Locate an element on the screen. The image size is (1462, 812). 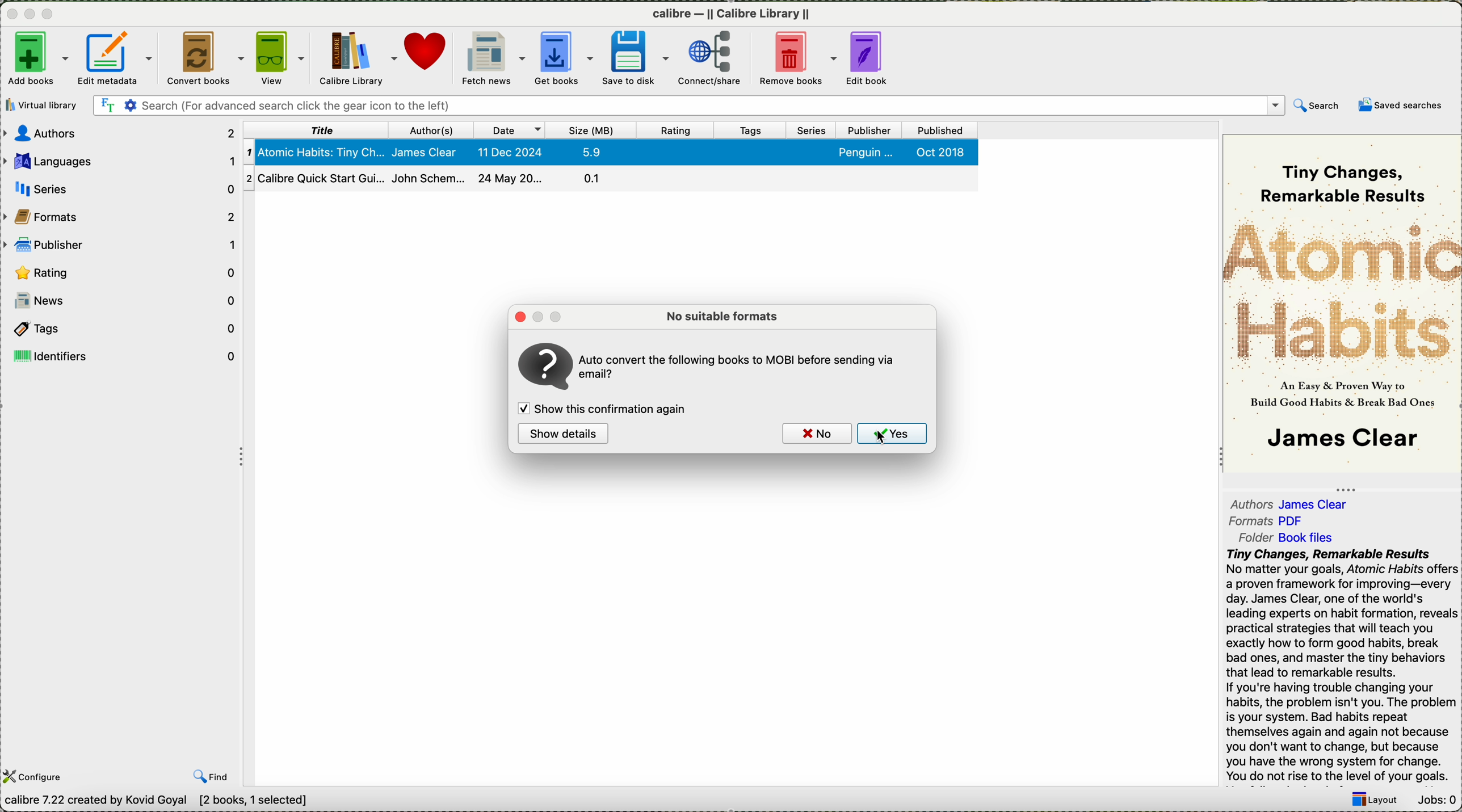
find is located at coordinates (214, 776).